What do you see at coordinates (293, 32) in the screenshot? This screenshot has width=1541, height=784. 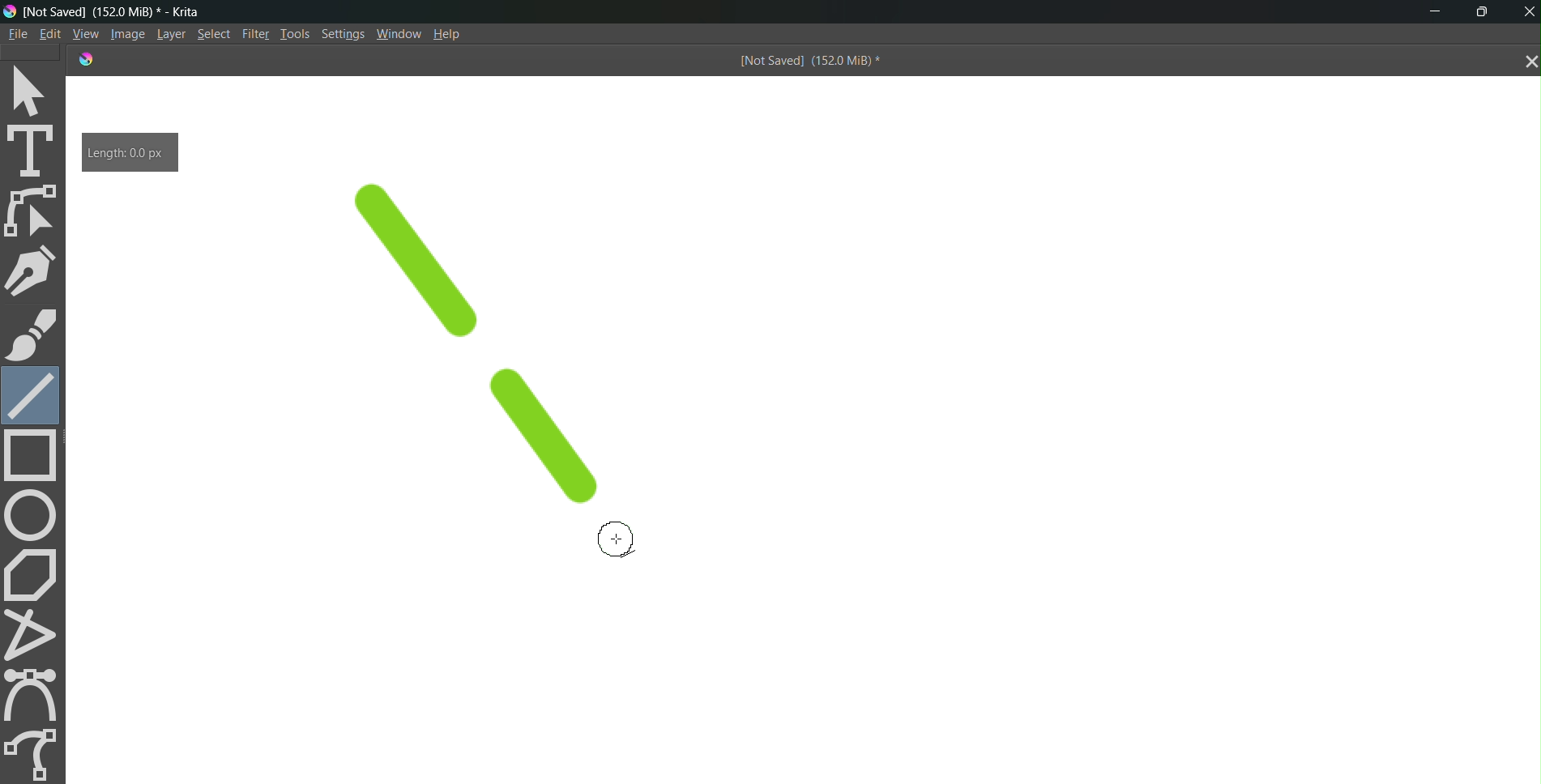 I see `Tools` at bounding box center [293, 32].